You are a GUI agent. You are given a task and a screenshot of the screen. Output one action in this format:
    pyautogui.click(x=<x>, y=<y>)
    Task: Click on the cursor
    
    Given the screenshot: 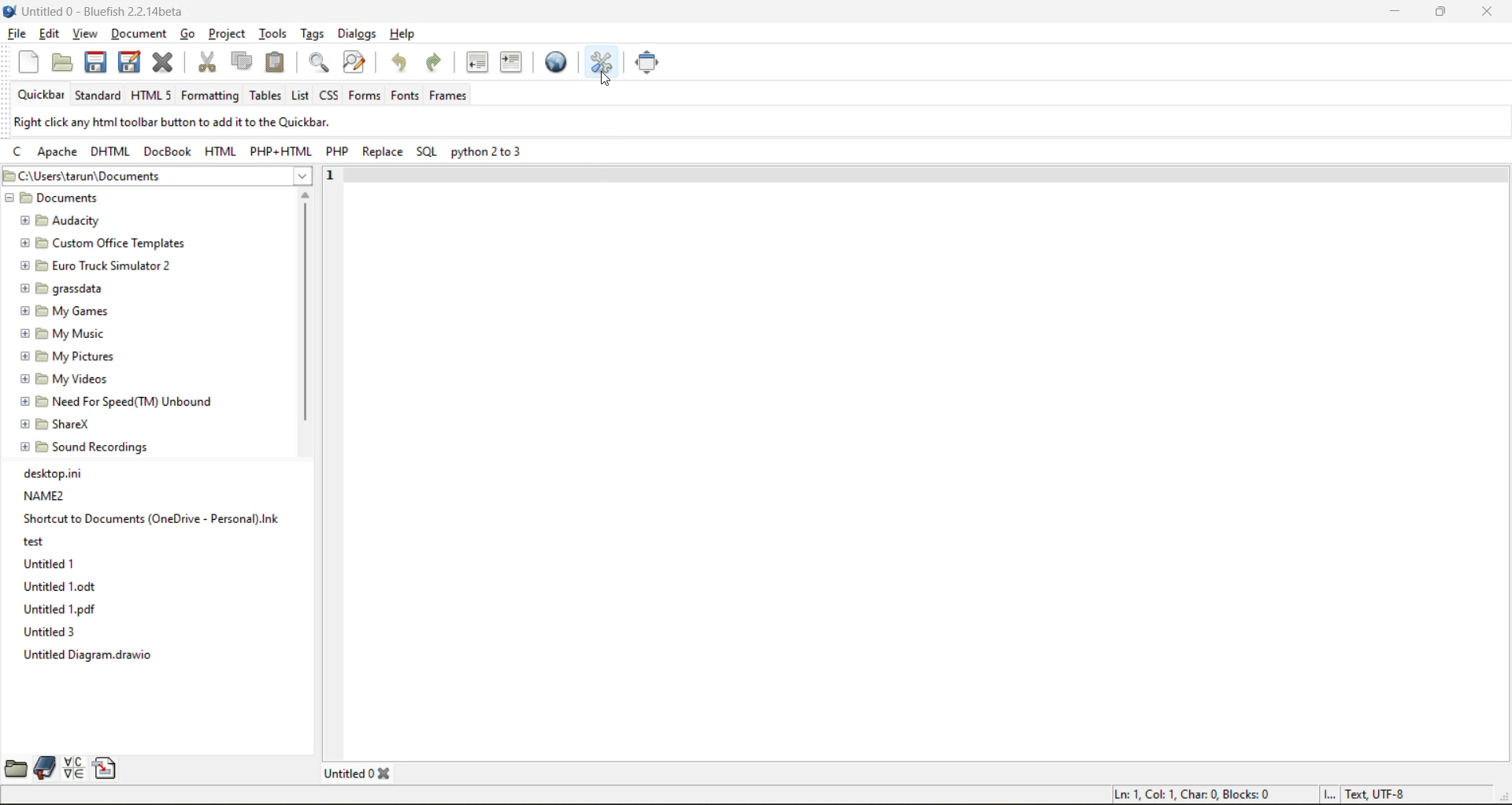 What is the action you would take?
    pyautogui.click(x=608, y=82)
    